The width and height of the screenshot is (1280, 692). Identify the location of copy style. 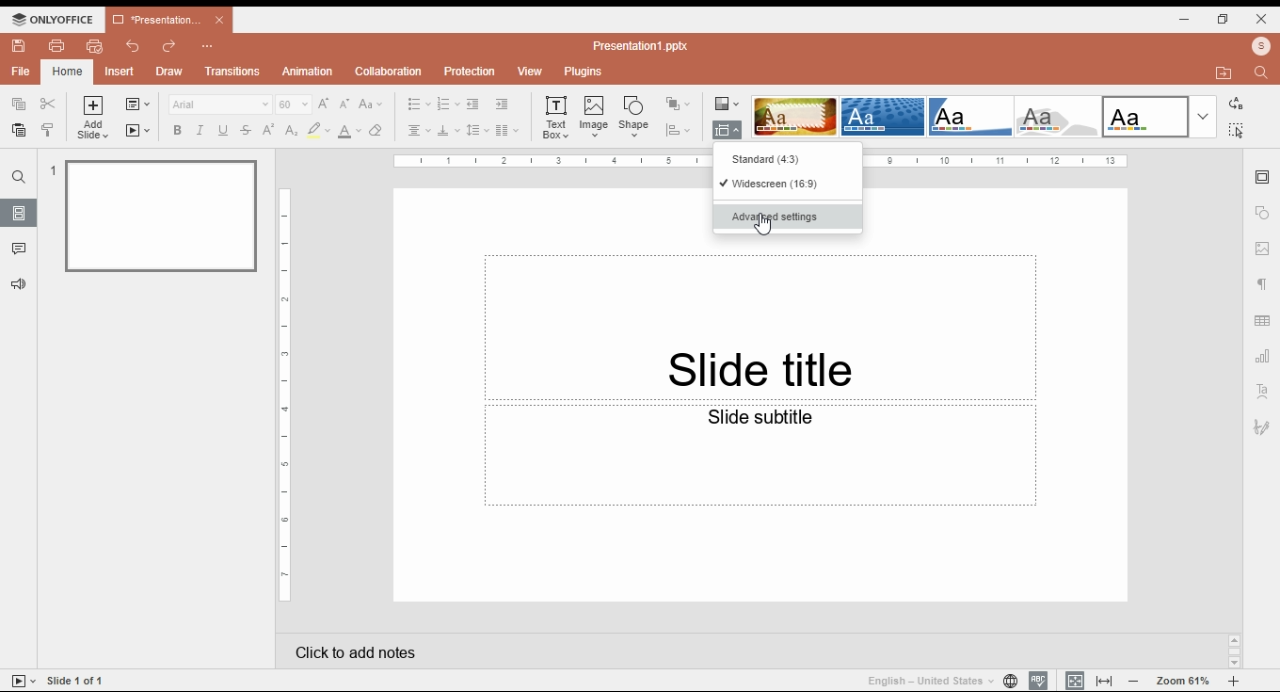
(50, 129).